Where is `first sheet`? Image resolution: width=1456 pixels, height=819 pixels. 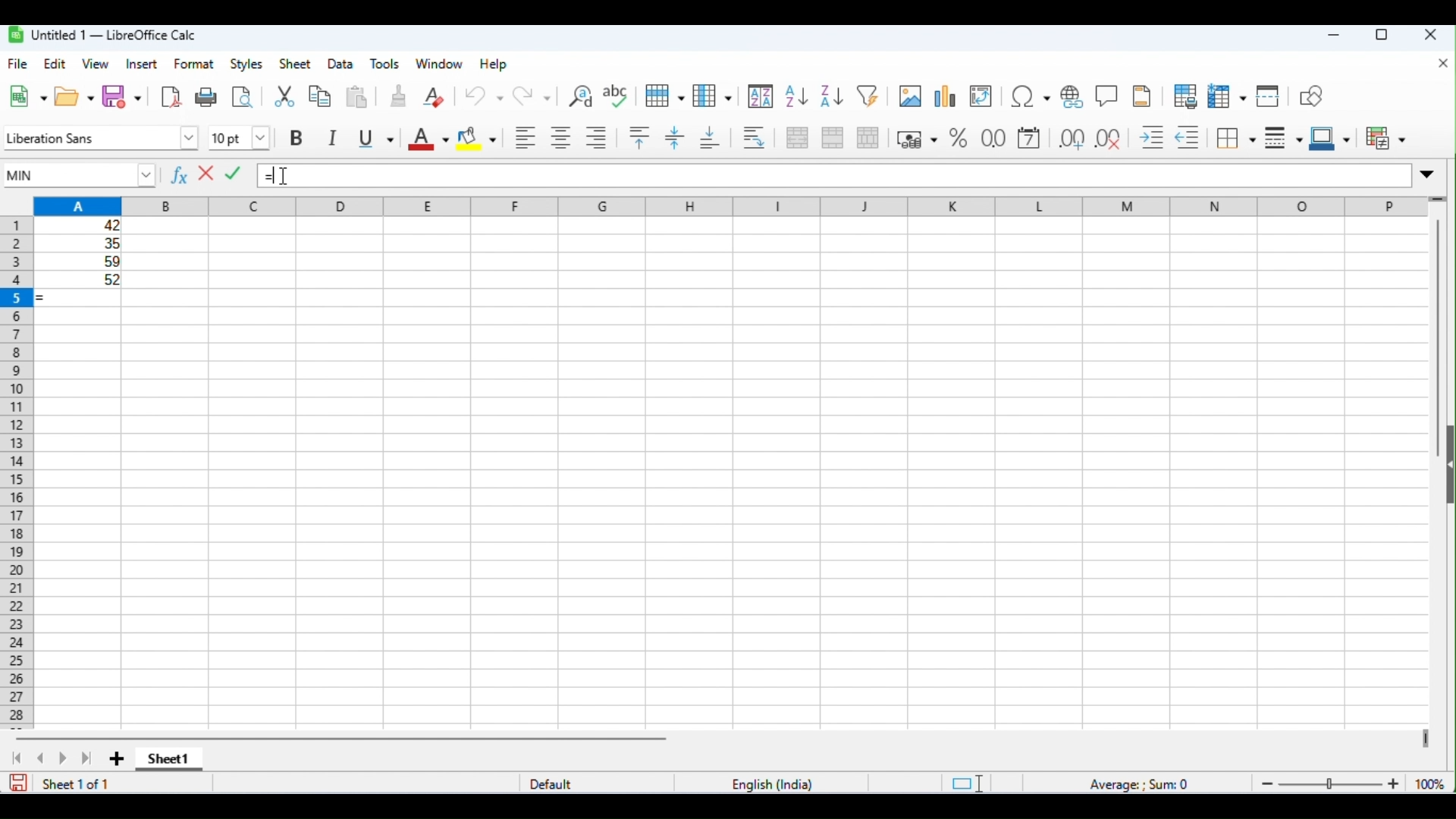 first sheet is located at coordinates (22, 758).